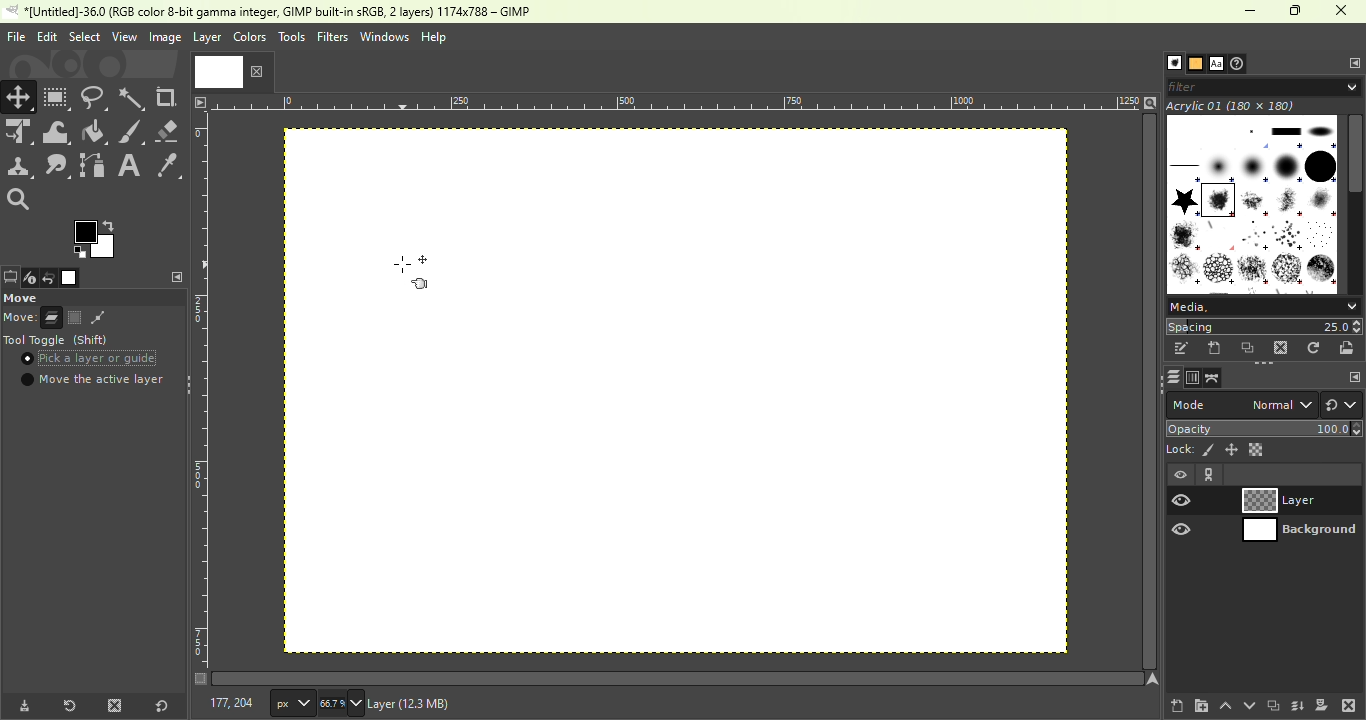 The image size is (1366, 720). Describe the element at coordinates (114, 704) in the screenshot. I see `Delete tool preset` at that location.